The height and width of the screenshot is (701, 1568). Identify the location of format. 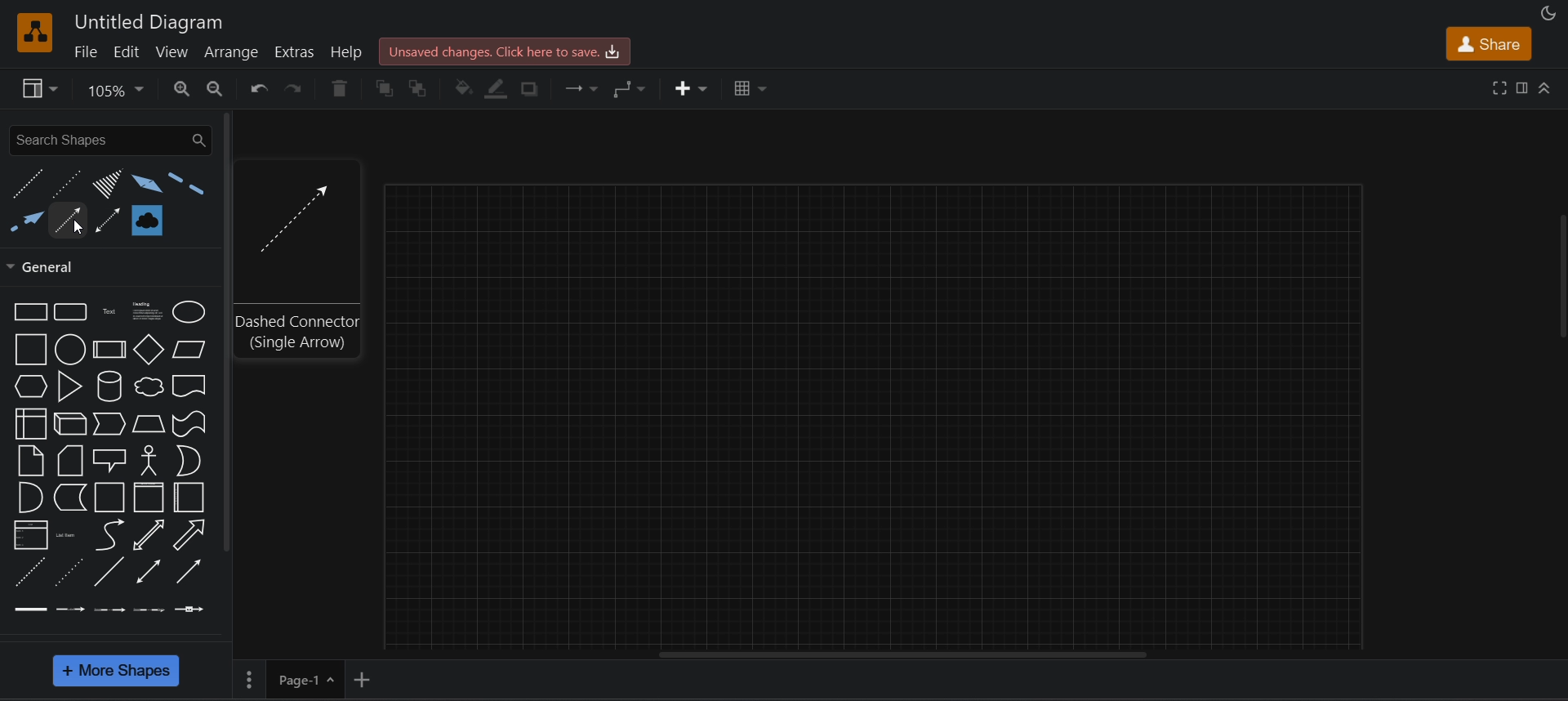
(1524, 87).